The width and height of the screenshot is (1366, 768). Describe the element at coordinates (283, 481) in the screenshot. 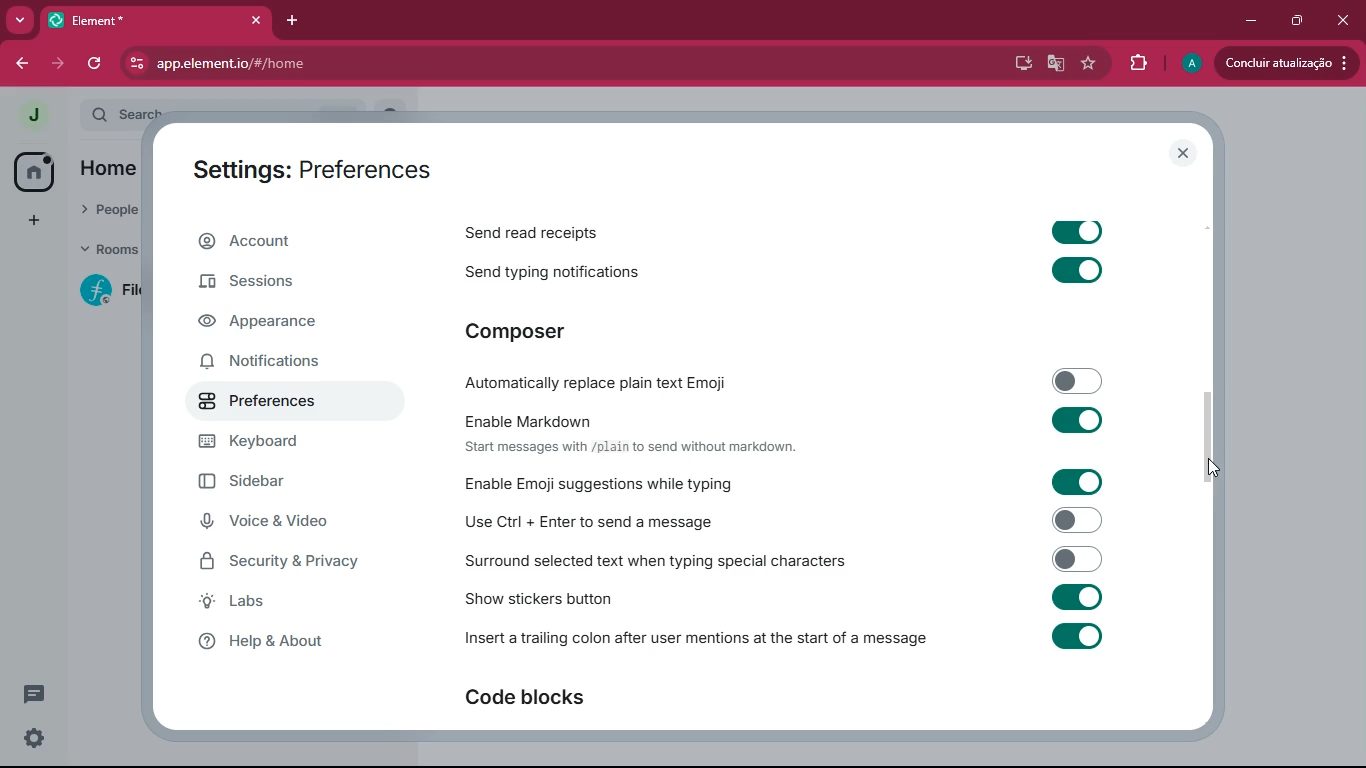

I see `sidebar` at that location.